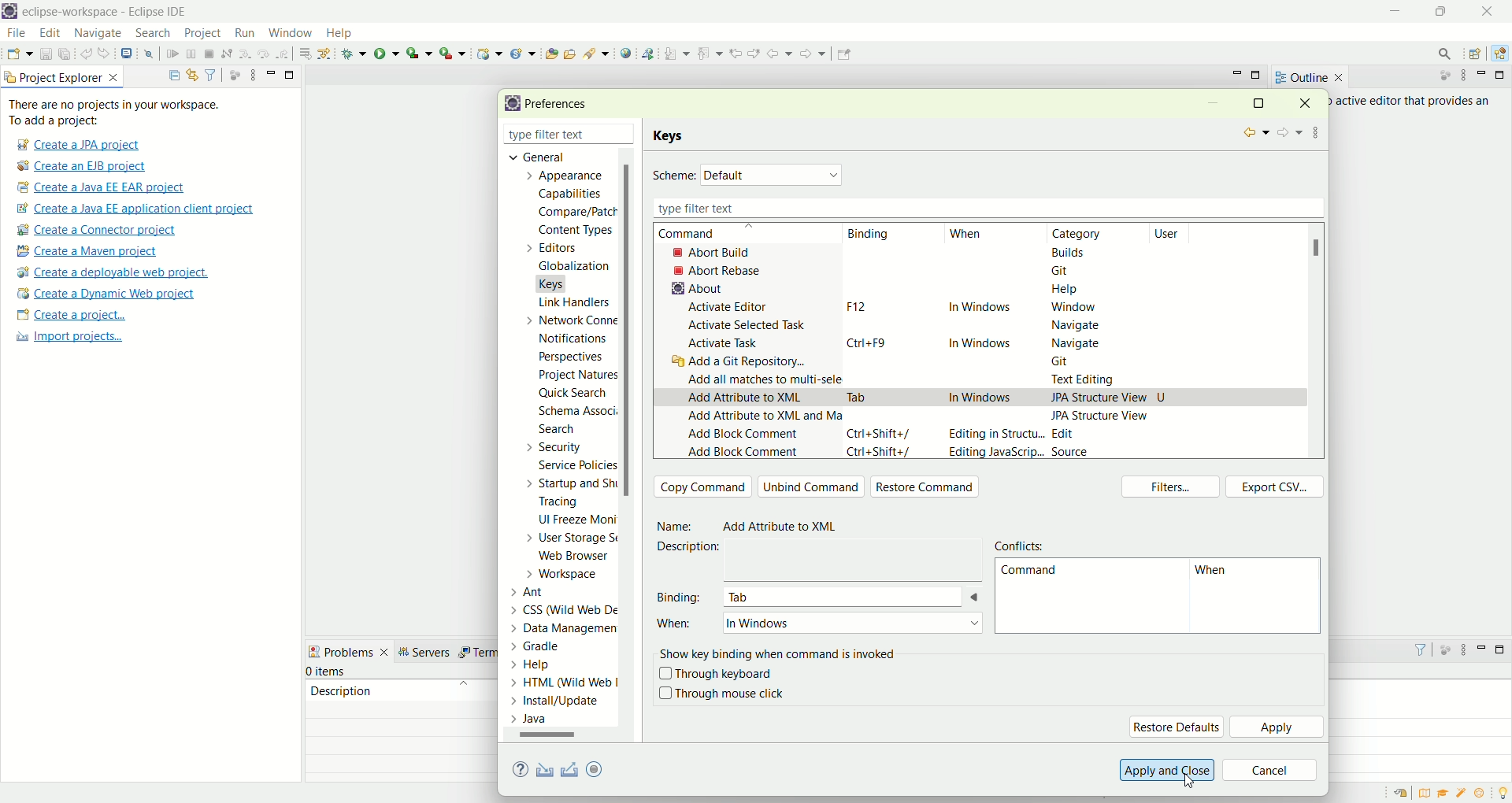 The height and width of the screenshot is (803, 1512). I want to click on JPA structure view U, so click(1109, 396).